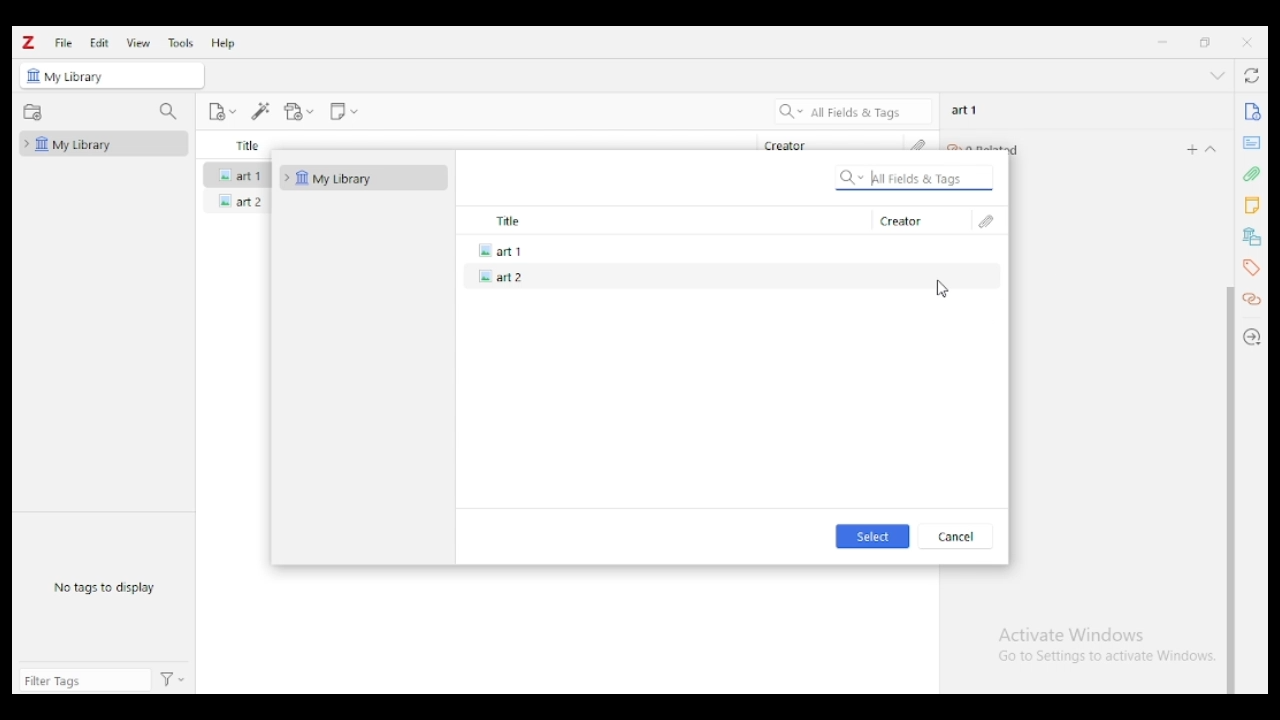 This screenshot has width=1280, height=720. What do you see at coordinates (1251, 143) in the screenshot?
I see `abstract` at bounding box center [1251, 143].